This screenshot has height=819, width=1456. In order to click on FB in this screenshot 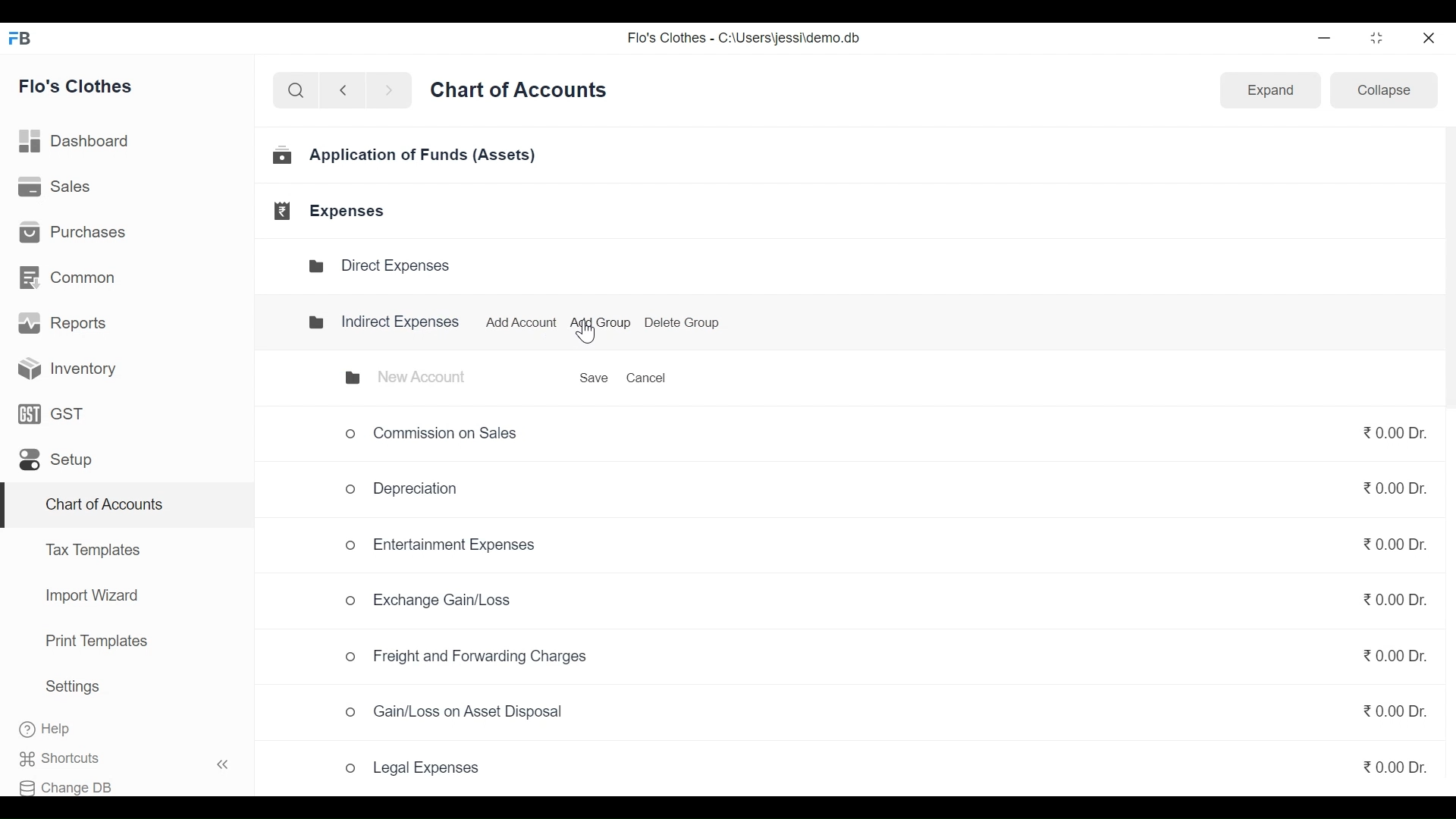, I will do `click(24, 42)`.